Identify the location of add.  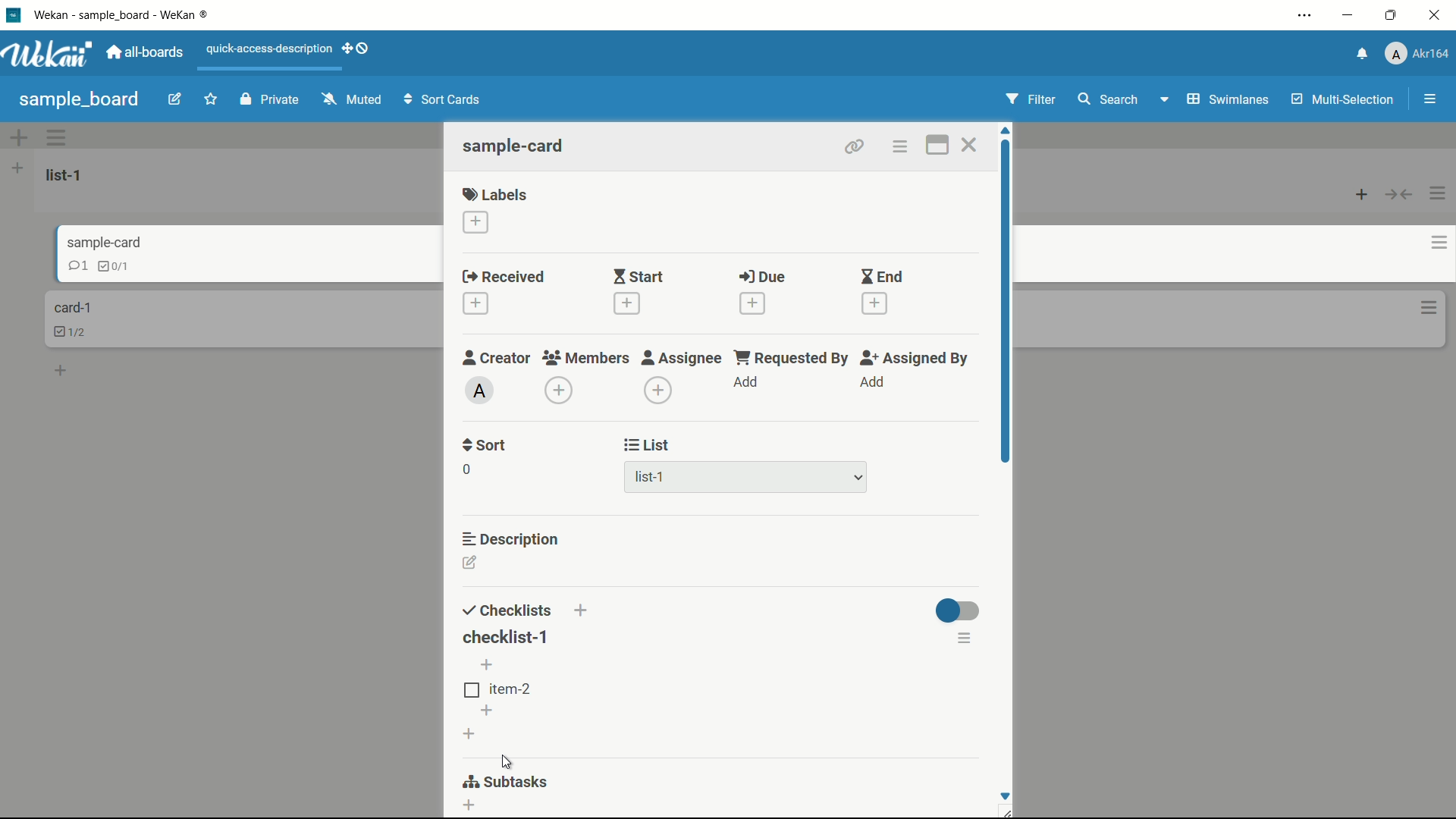
(470, 806).